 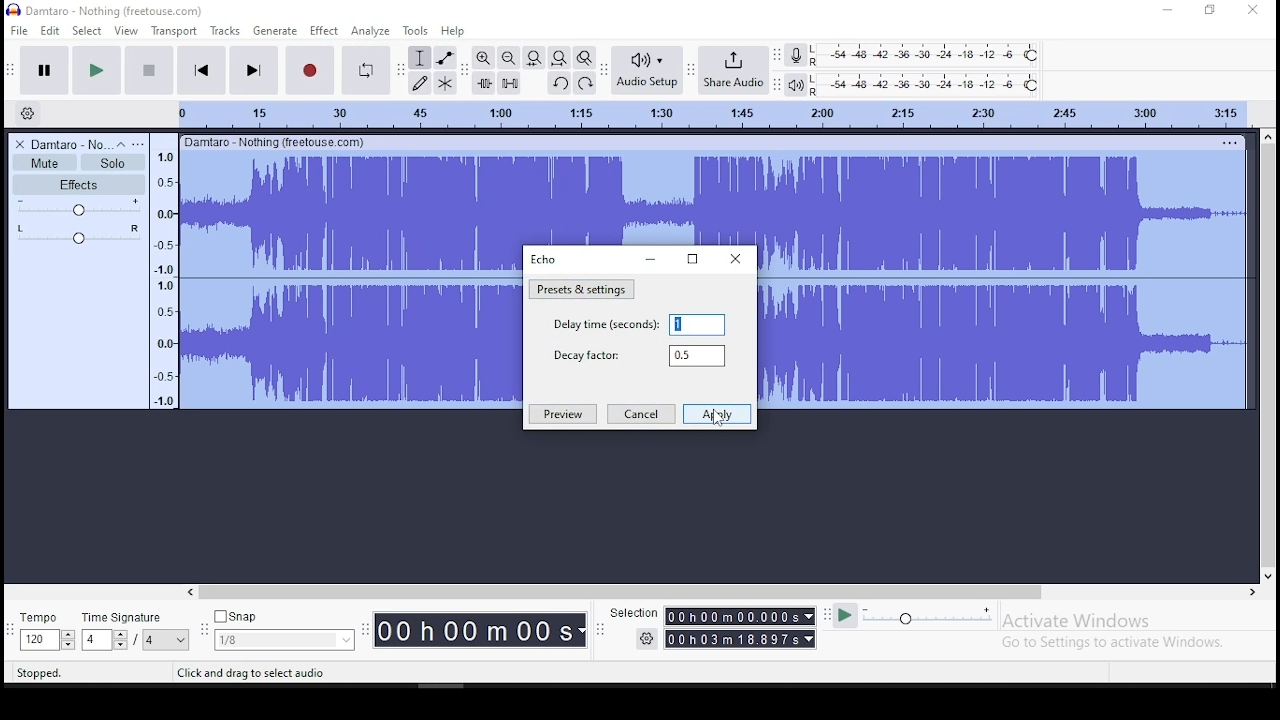 I want to click on , so click(x=363, y=632).